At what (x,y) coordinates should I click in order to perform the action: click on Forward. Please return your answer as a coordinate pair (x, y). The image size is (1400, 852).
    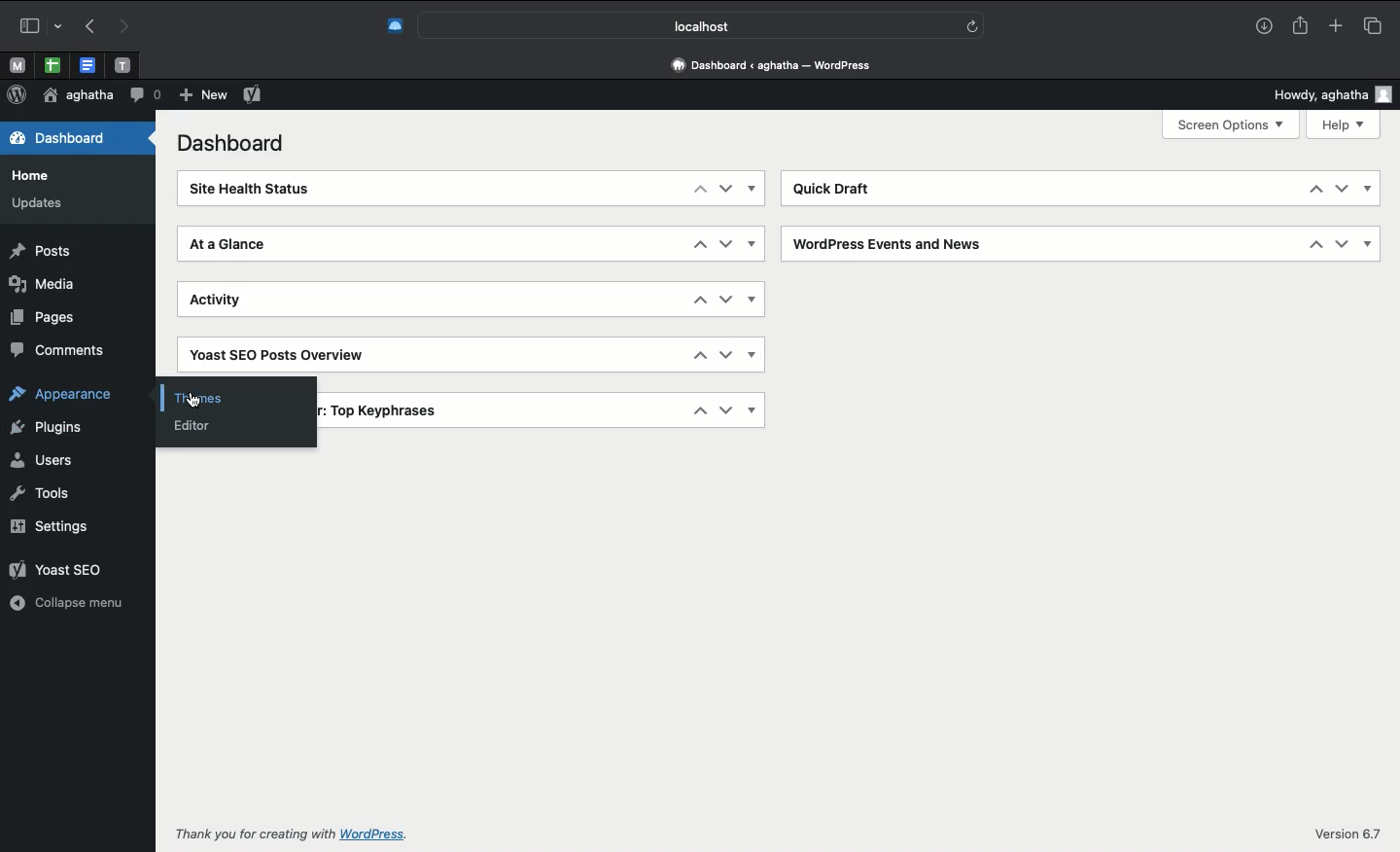
    Looking at the image, I should click on (125, 27).